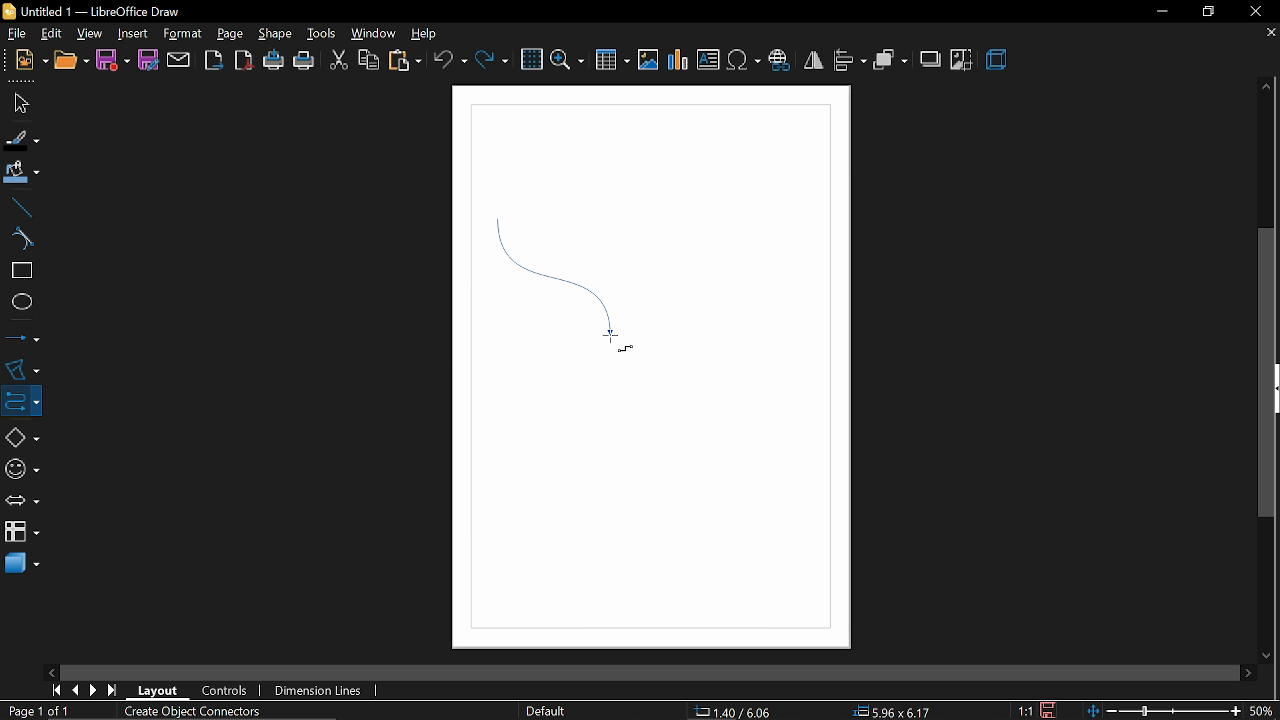 The image size is (1280, 720). I want to click on controls, so click(226, 692).